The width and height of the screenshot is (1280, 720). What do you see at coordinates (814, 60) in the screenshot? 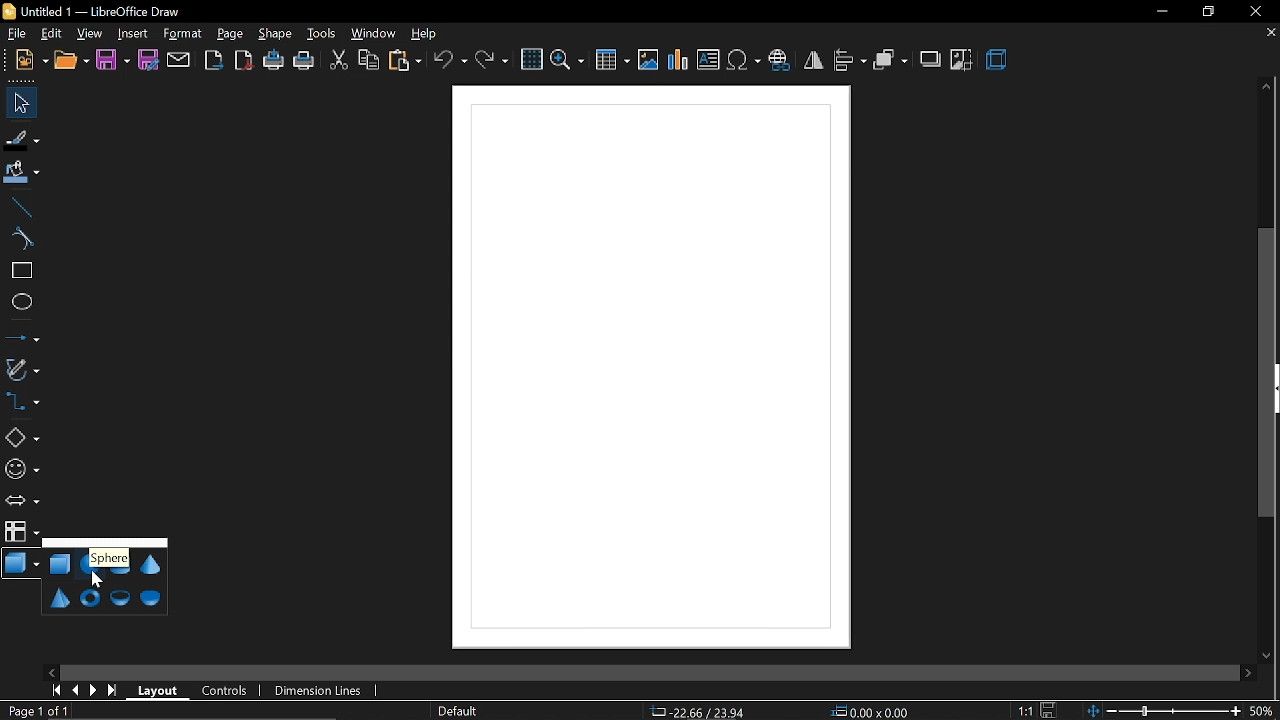
I see `flip` at bounding box center [814, 60].